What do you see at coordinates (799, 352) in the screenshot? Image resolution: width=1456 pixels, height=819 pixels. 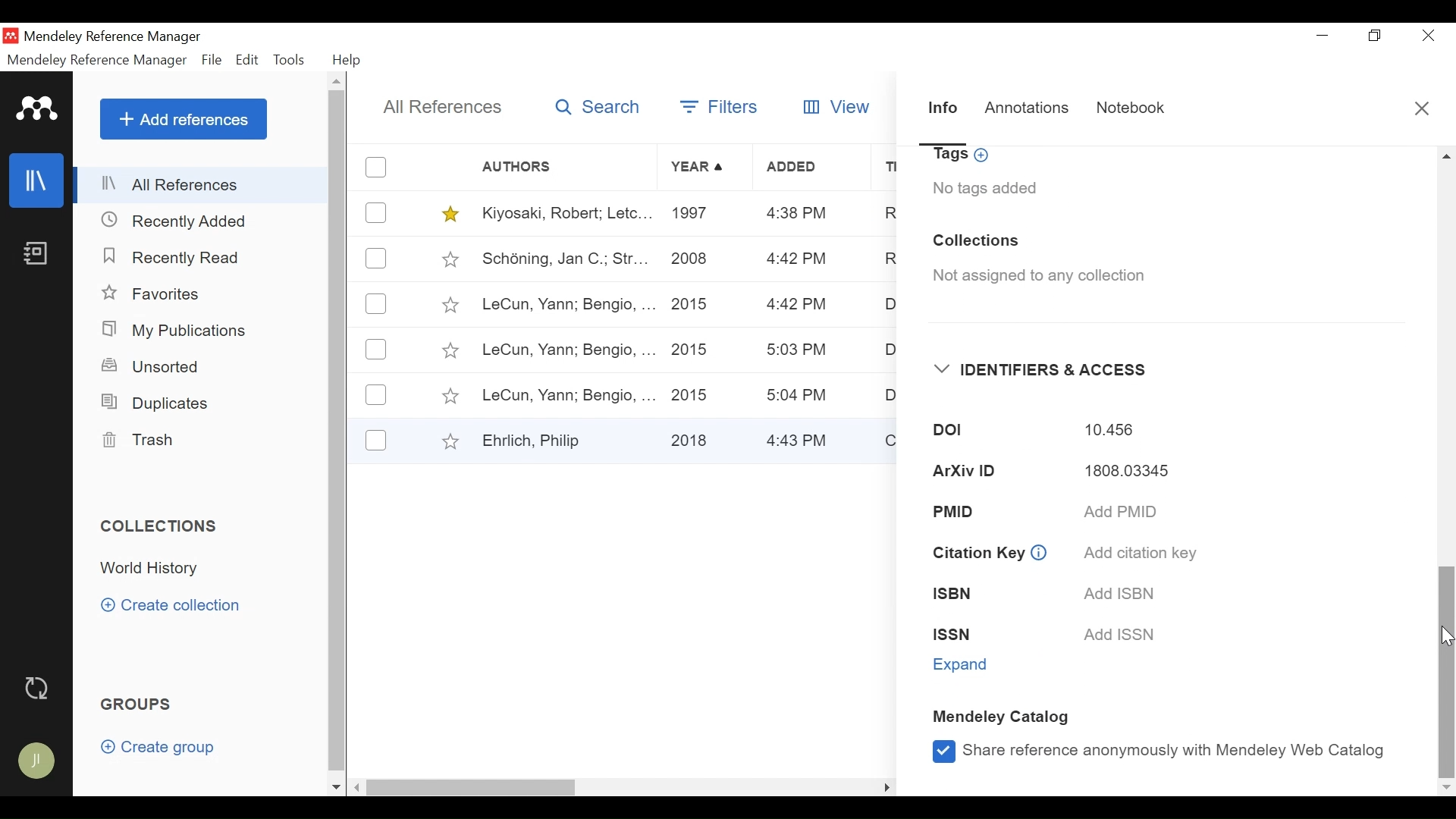 I see `5:03 PM` at bounding box center [799, 352].